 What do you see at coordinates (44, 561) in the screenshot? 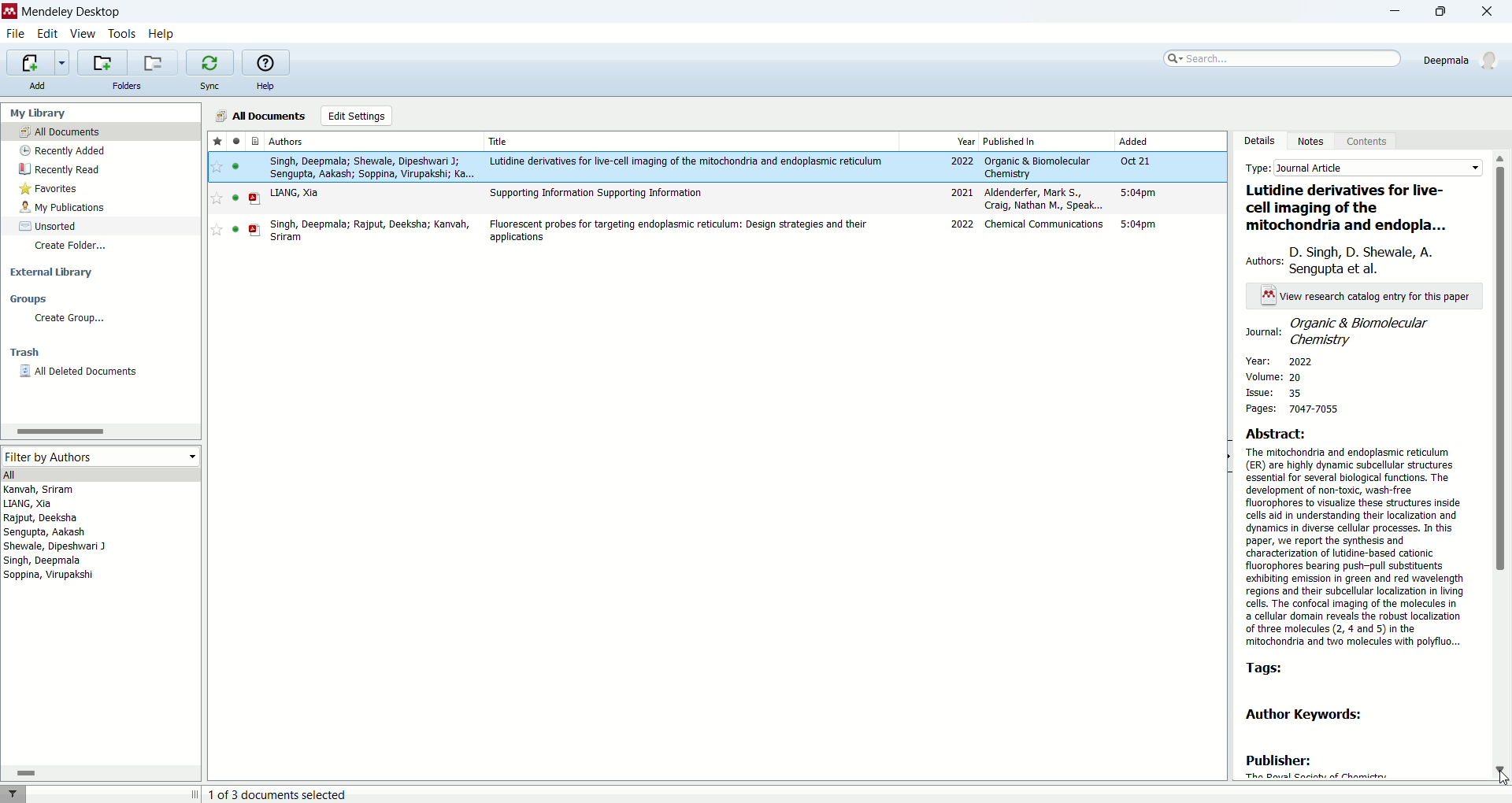
I see `singh, deepmala` at bounding box center [44, 561].